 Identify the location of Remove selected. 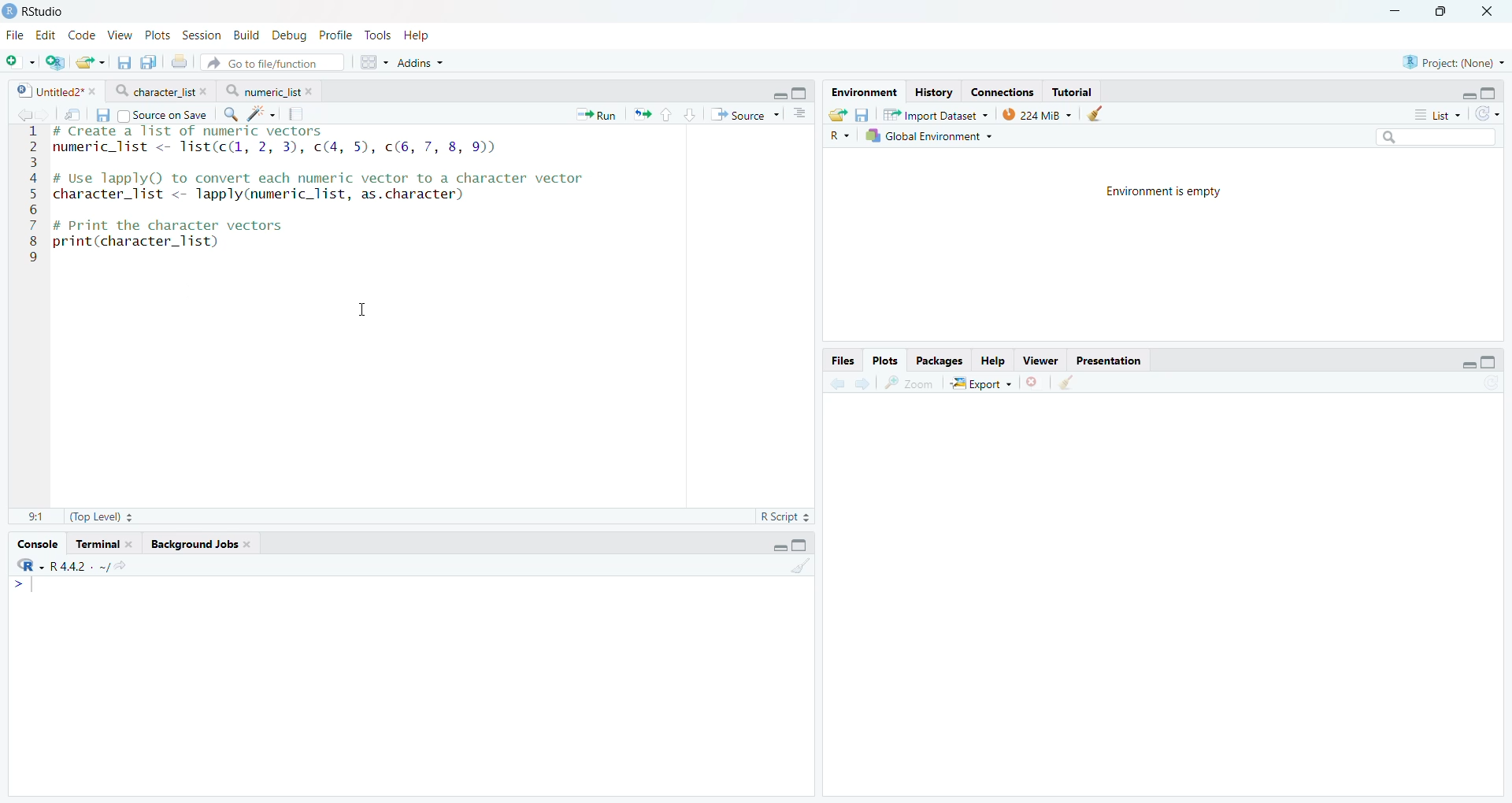
(1034, 383).